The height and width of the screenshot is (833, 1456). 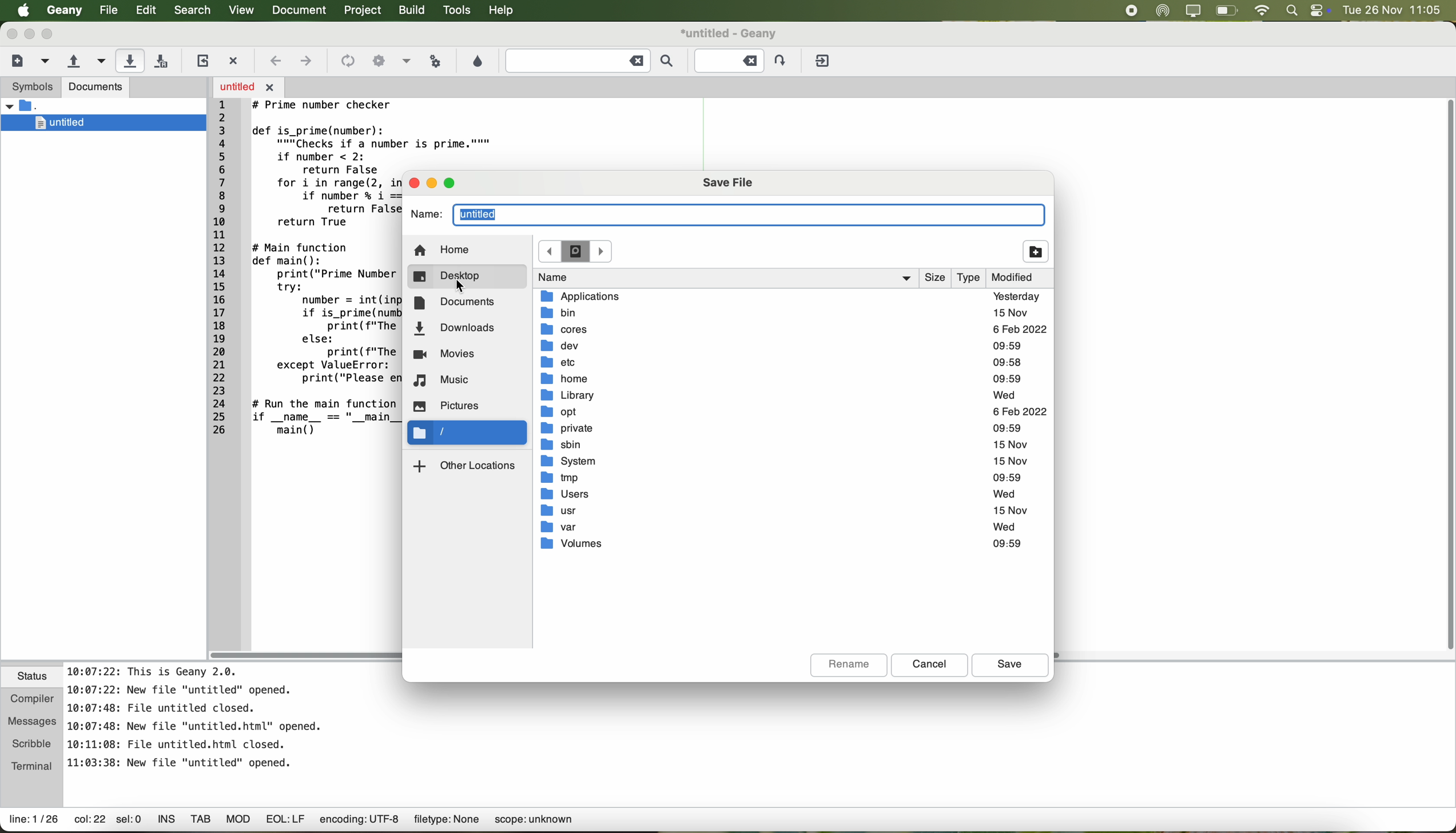 I want to click on users, so click(x=784, y=493).